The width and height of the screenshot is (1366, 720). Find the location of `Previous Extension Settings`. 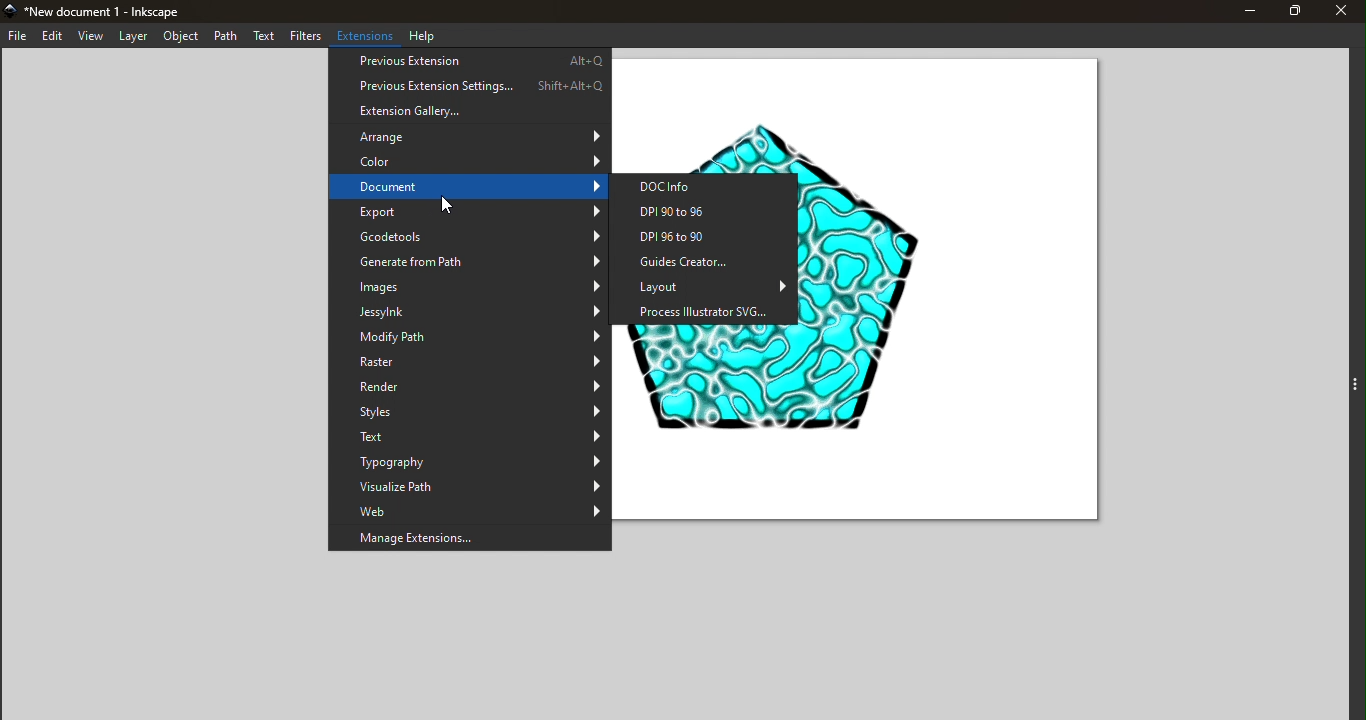

Previous Extension Settings is located at coordinates (467, 85).